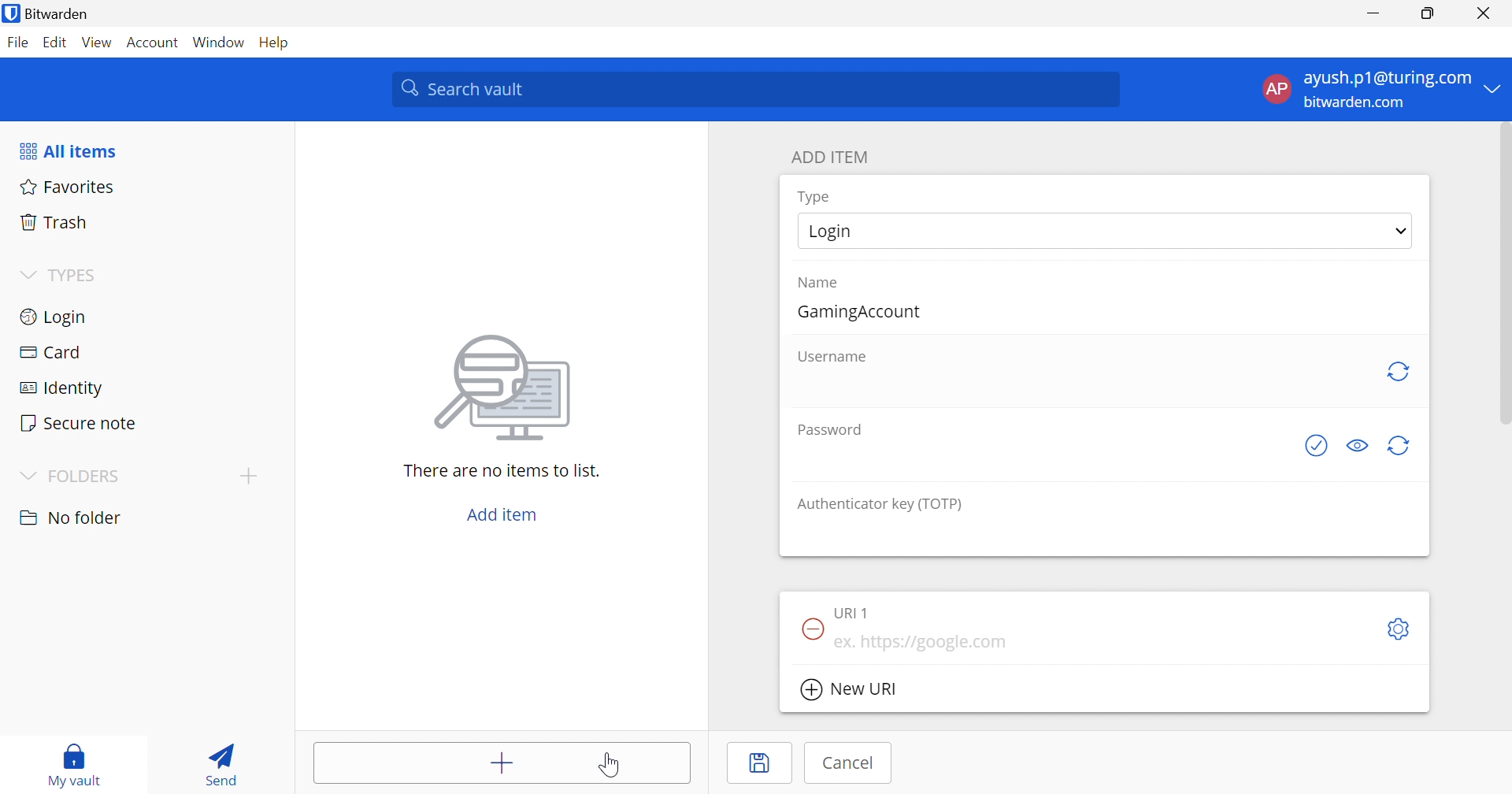  Describe the element at coordinates (67, 151) in the screenshot. I see `All items` at that location.